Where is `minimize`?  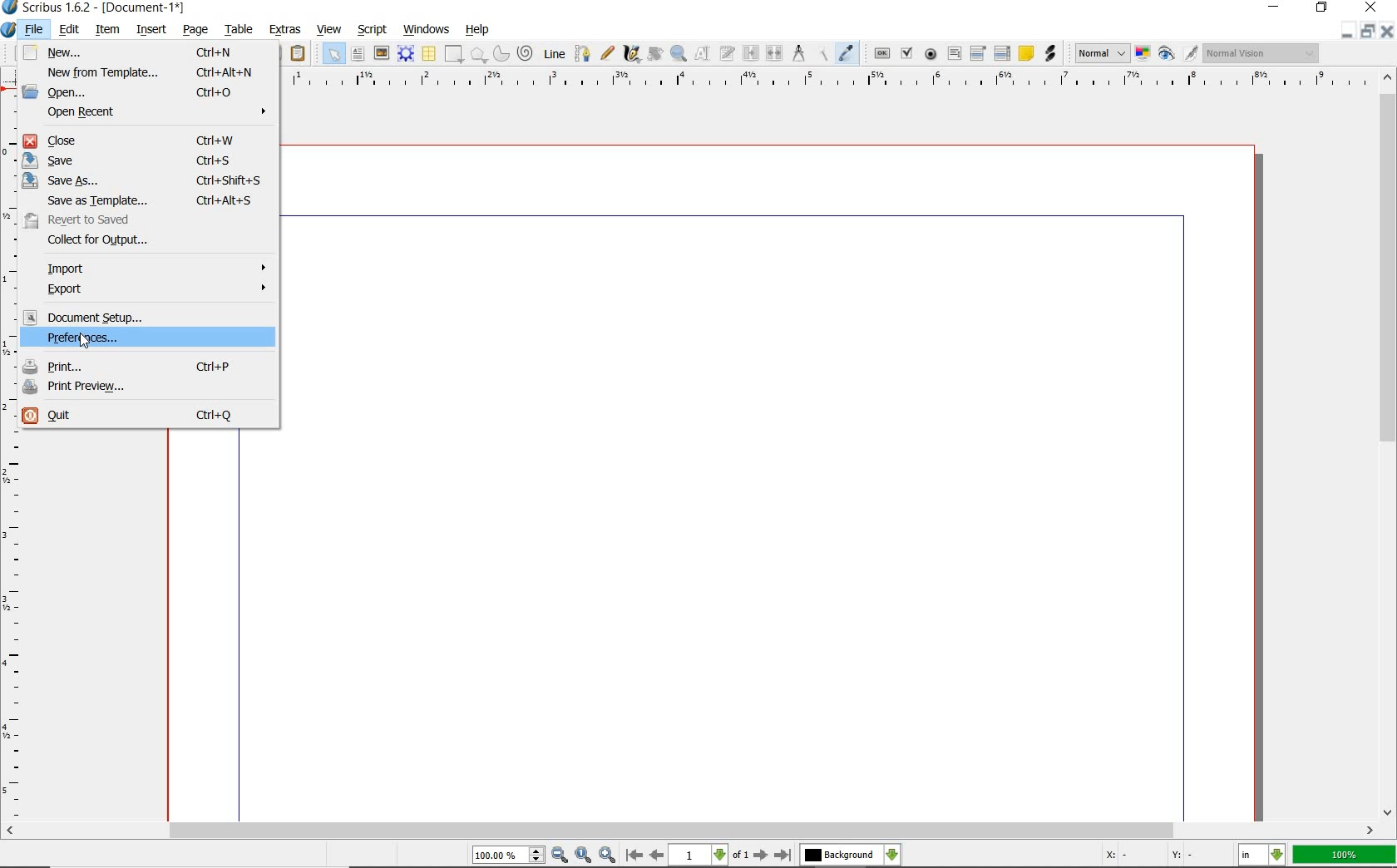
minimize is located at coordinates (1369, 31).